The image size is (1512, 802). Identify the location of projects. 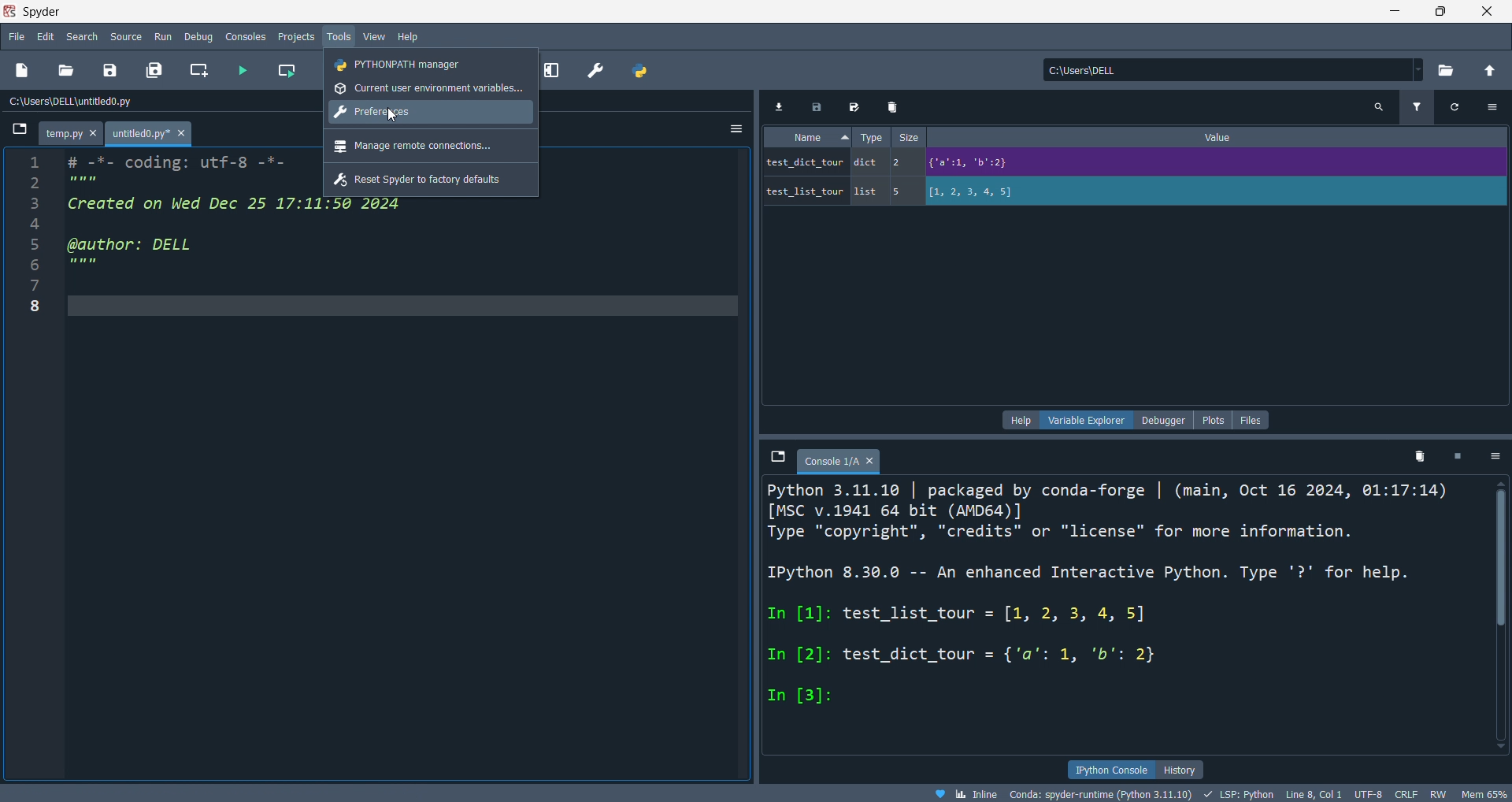
(296, 36).